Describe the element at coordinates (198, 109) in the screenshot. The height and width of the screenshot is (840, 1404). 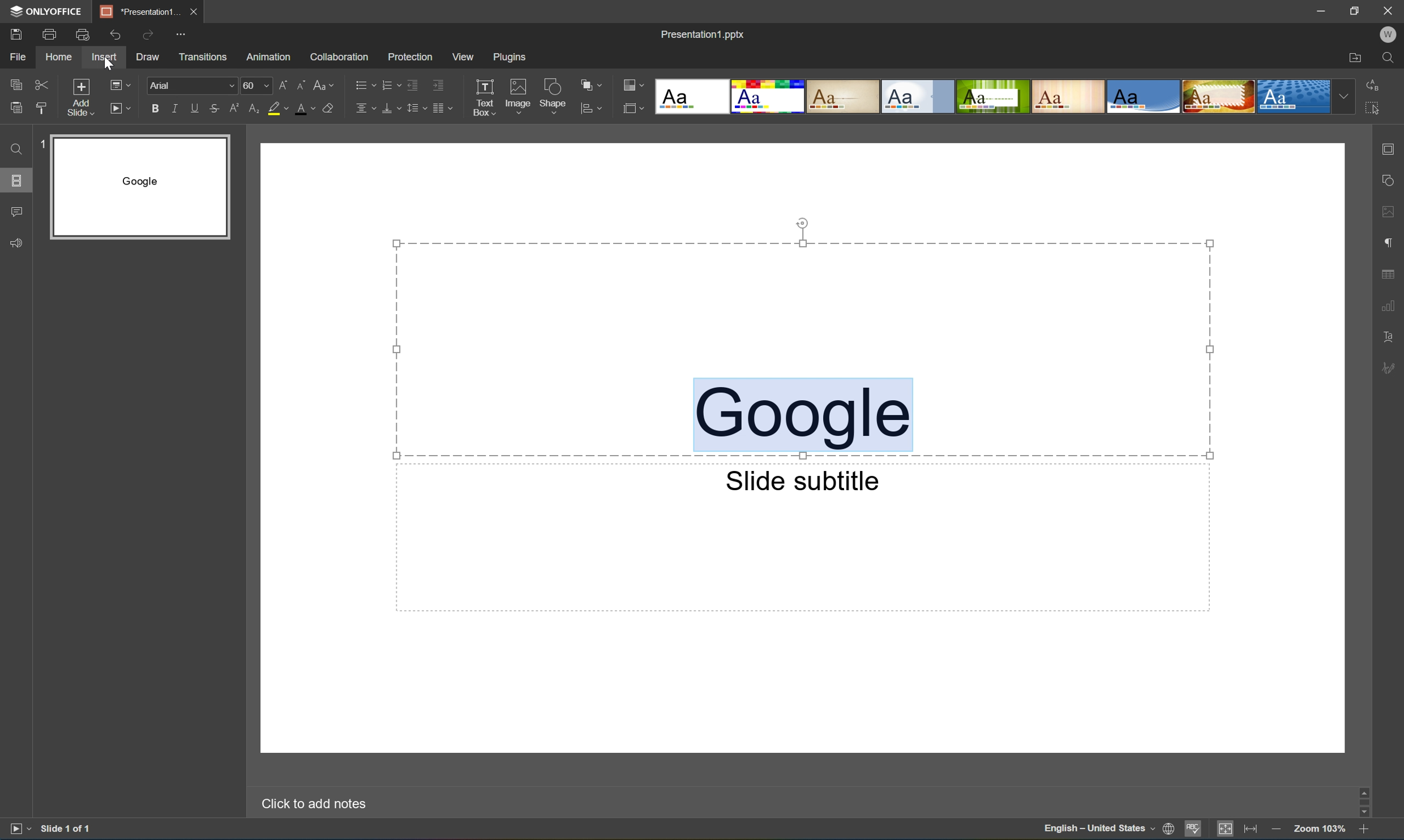
I see `Underline` at that location.